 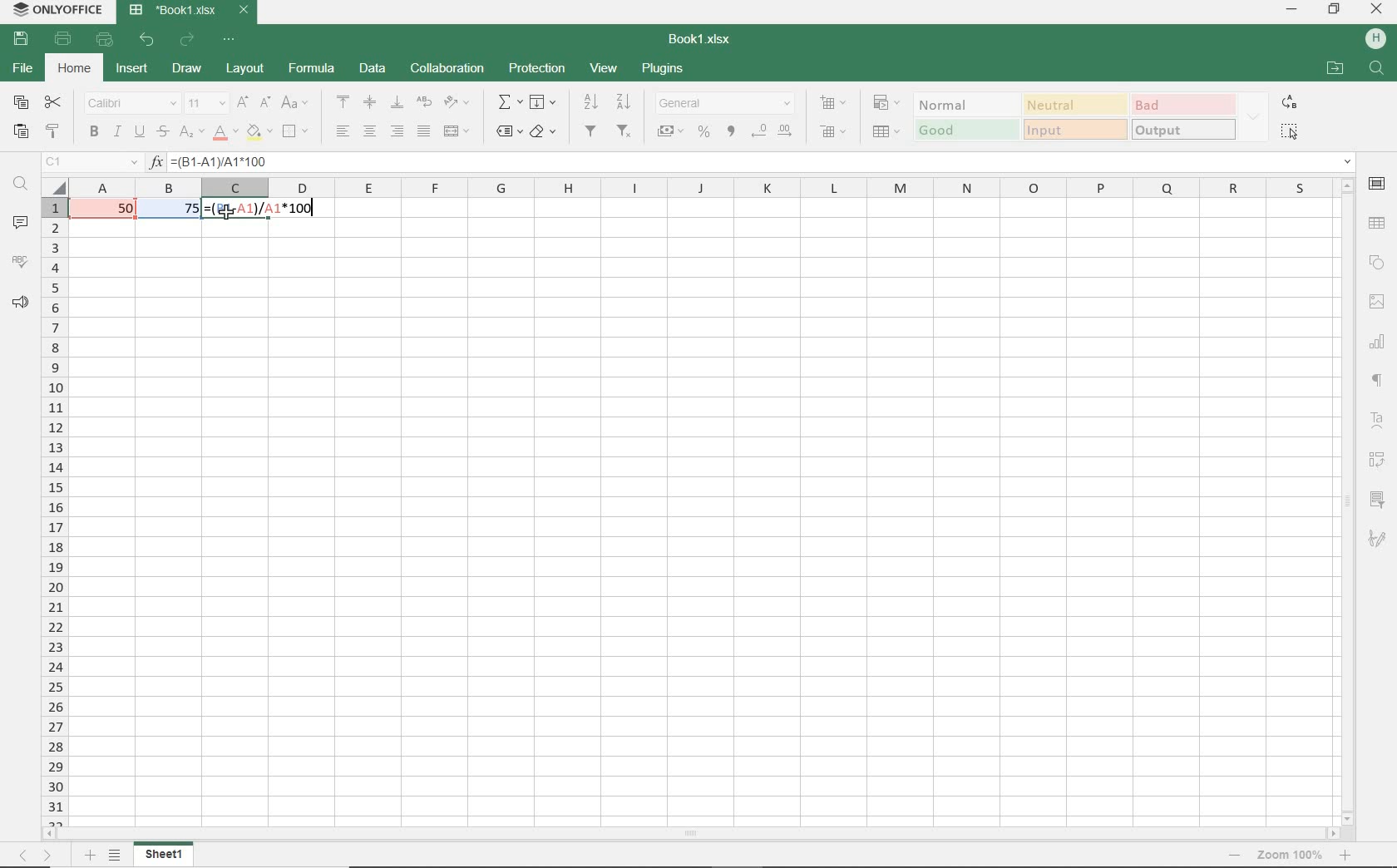 What do you see at coordinates (1335, 68) in the screenshot?
I see `open file location` at bounding box center [1335, 68].